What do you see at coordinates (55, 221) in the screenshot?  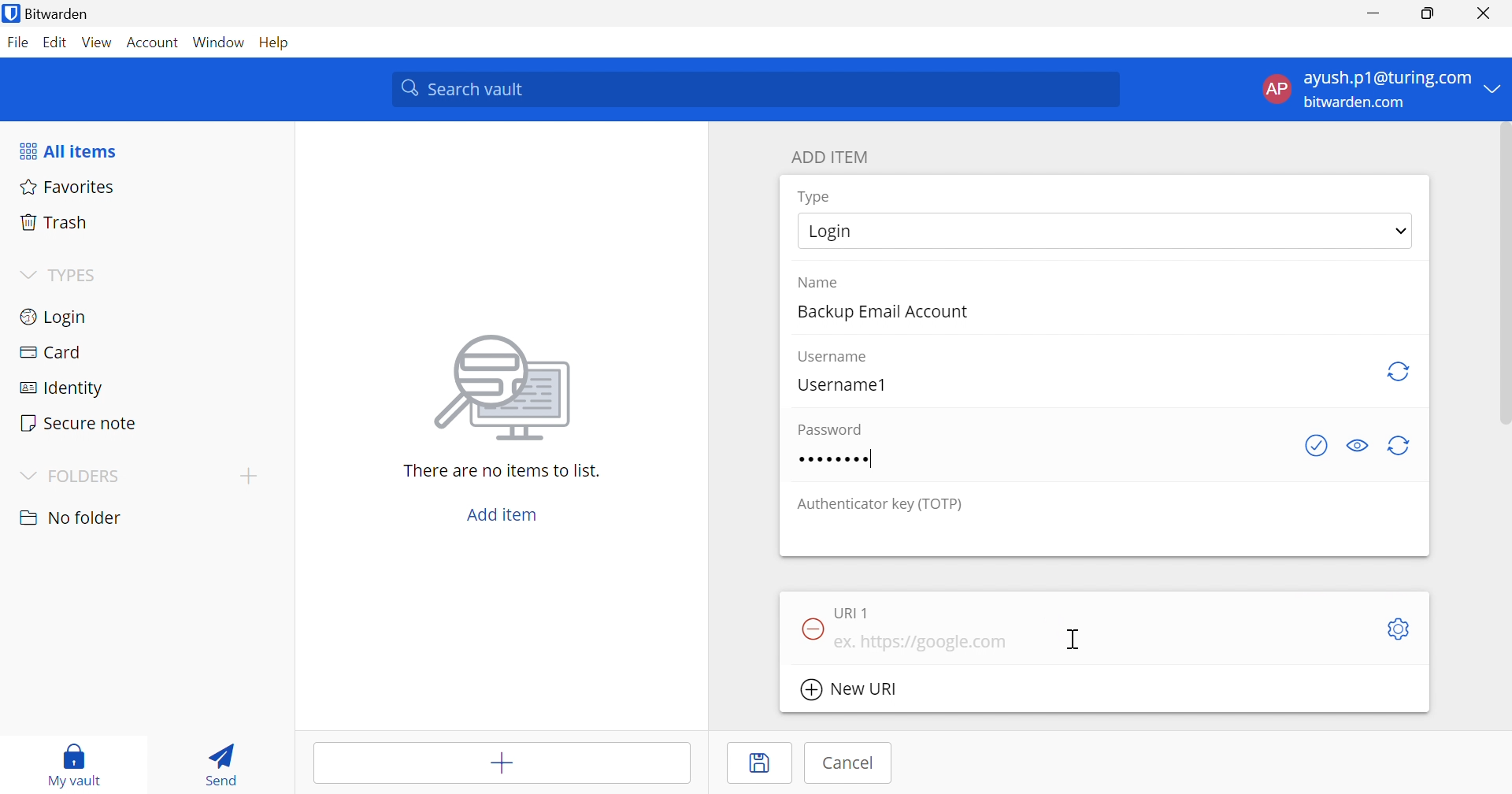 I see `Trash` at bounding box center [55, 221].